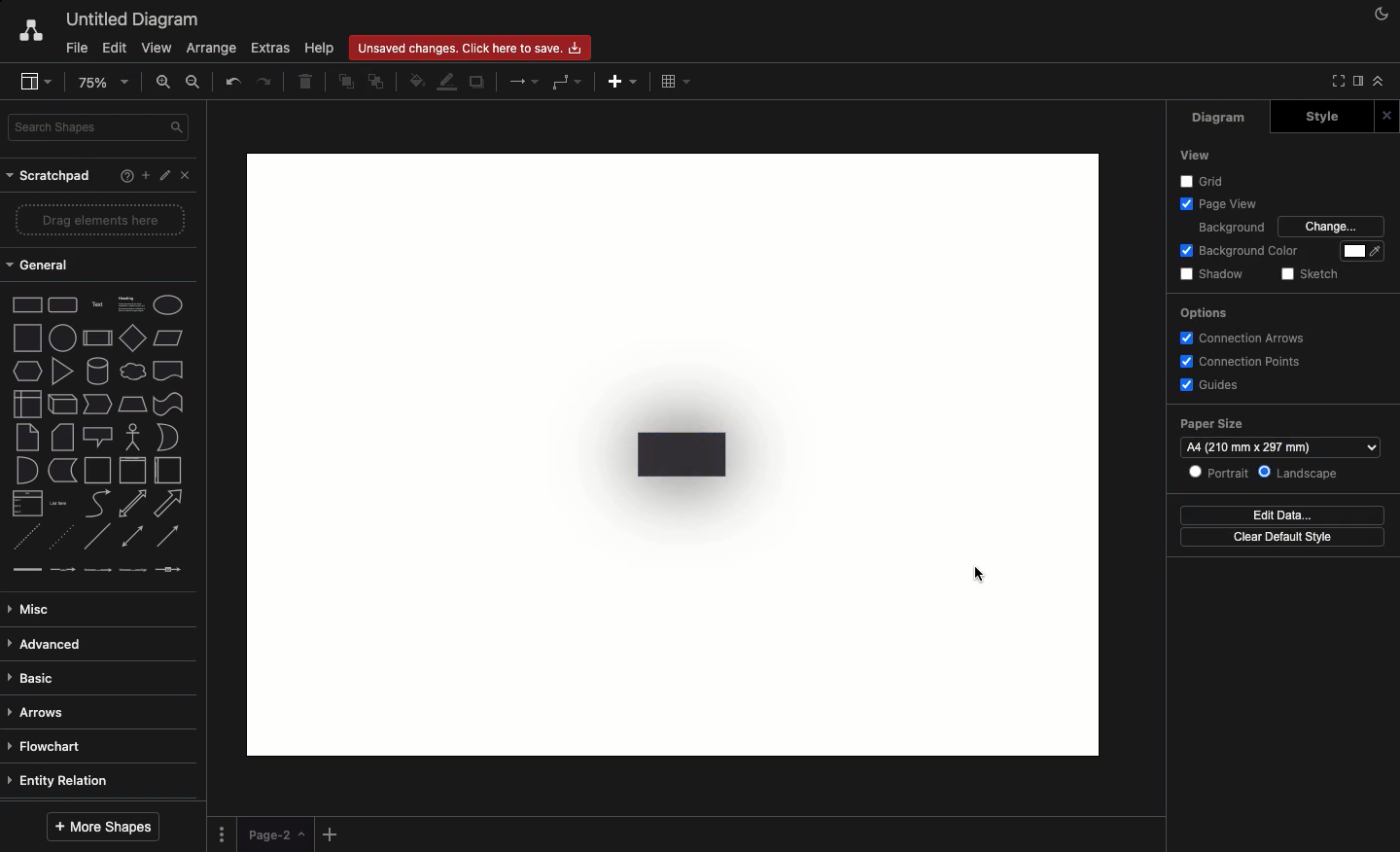 The image size is (1400, 852). I want to click on Edit data, so click(1287, 515).